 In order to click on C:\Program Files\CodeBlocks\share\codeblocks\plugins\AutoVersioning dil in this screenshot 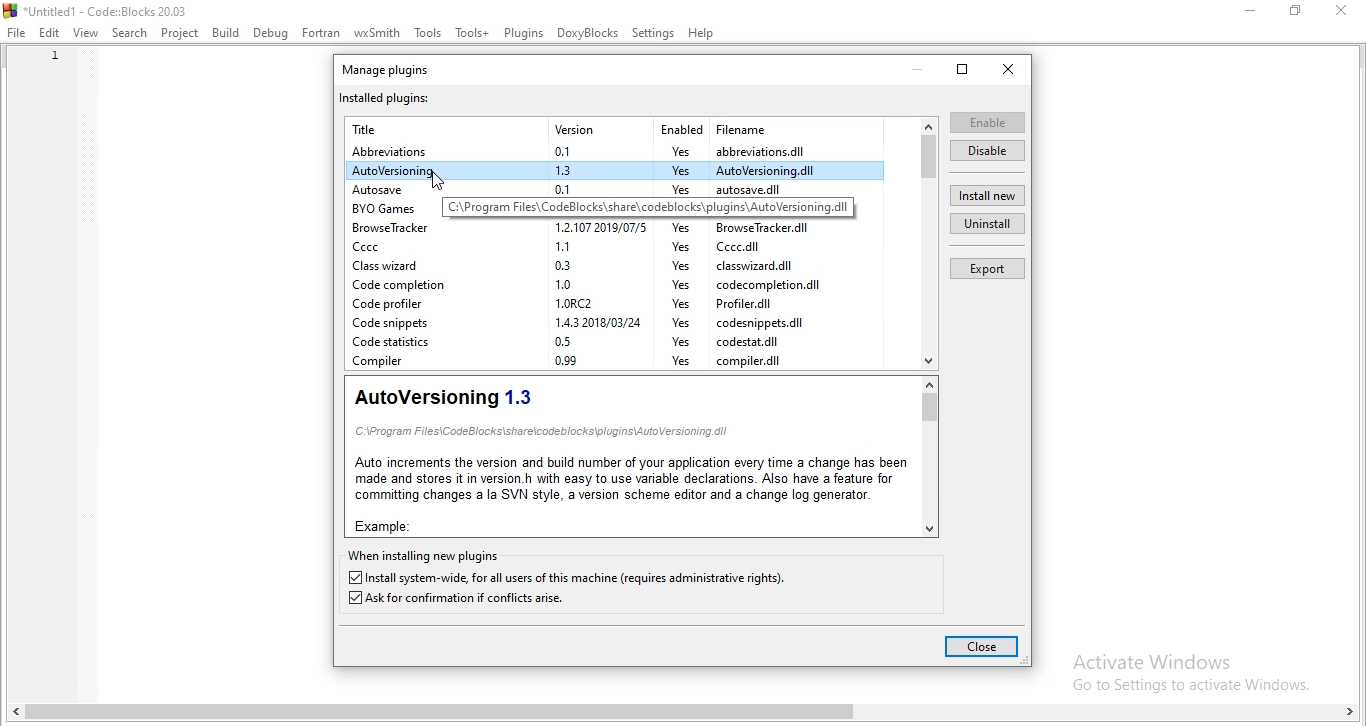, I will do `click(546, 431)`.